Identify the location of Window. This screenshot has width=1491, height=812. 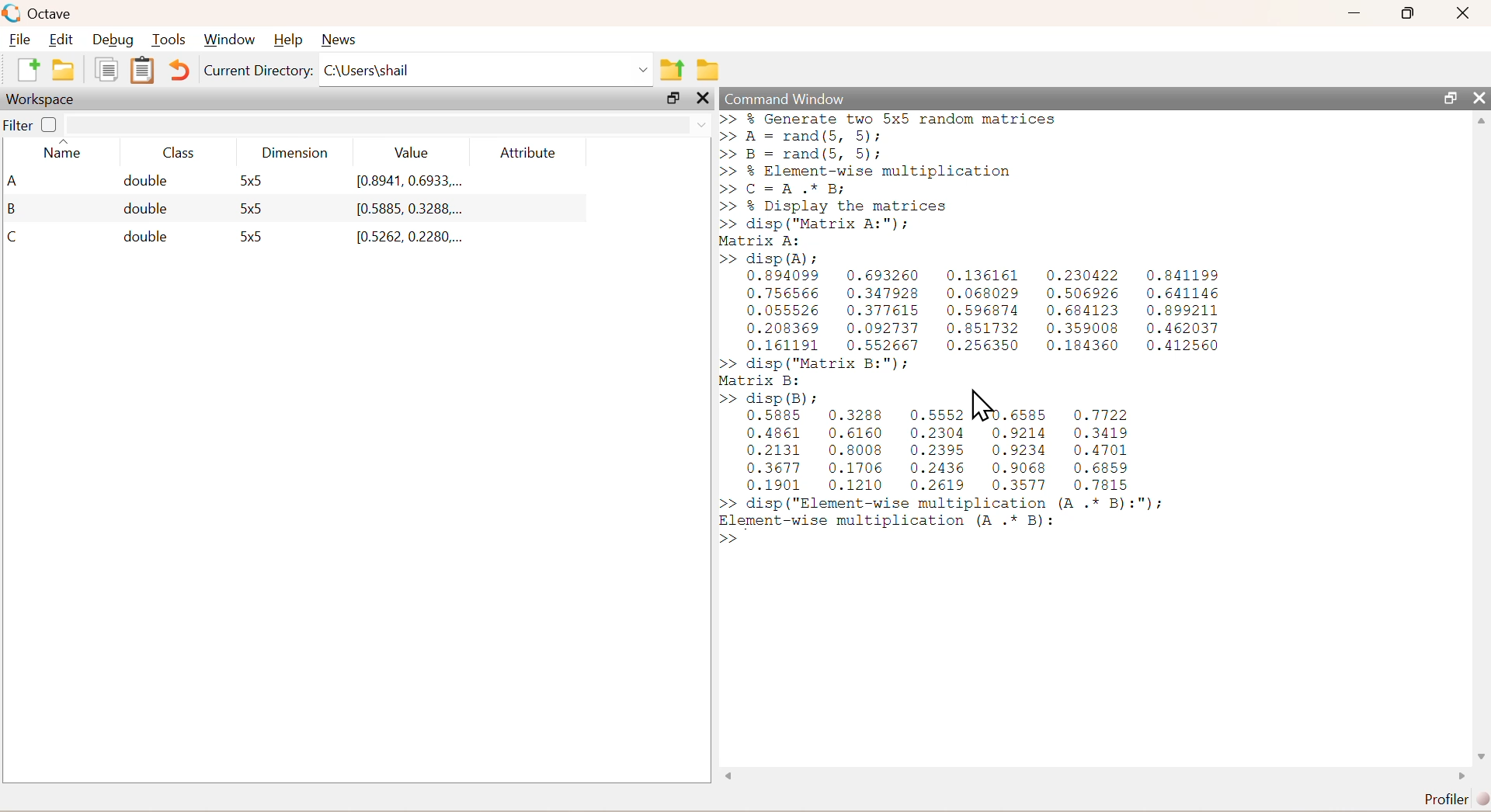
(231, 37).